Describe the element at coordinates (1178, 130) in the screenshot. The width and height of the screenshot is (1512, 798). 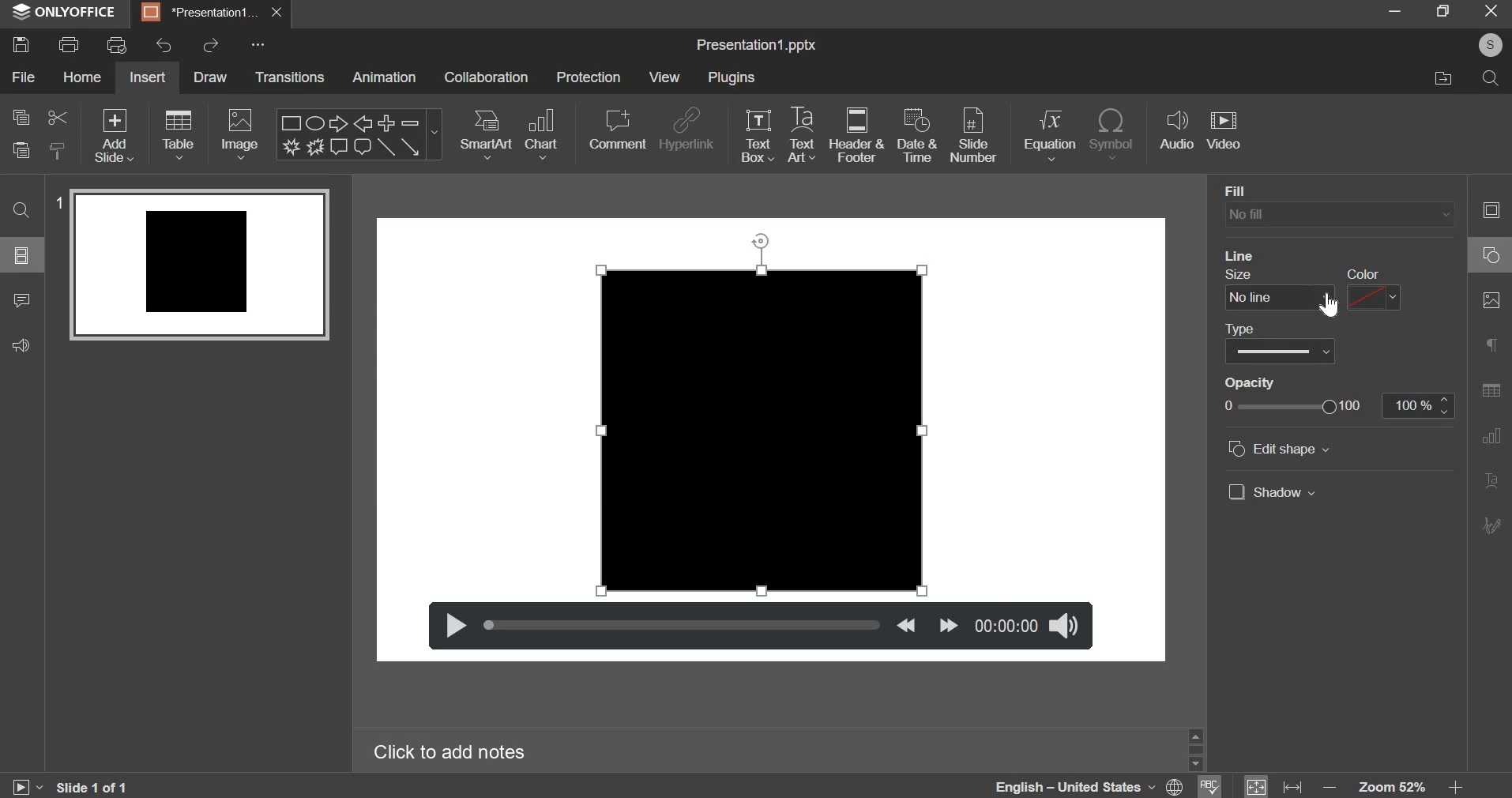
I see `audio` at that location.